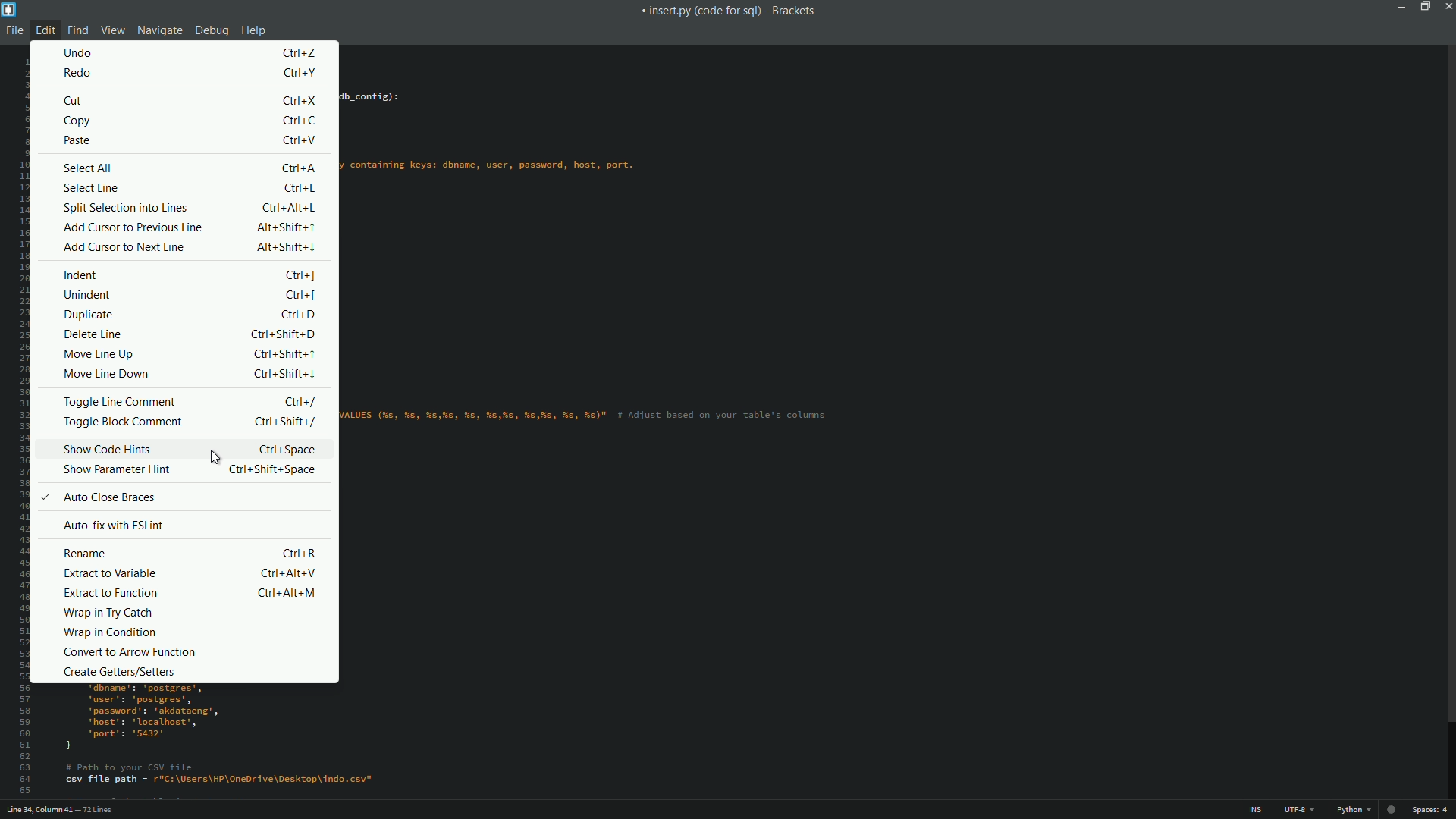  I want to click on keyboard shortcut, so click(285, 375).